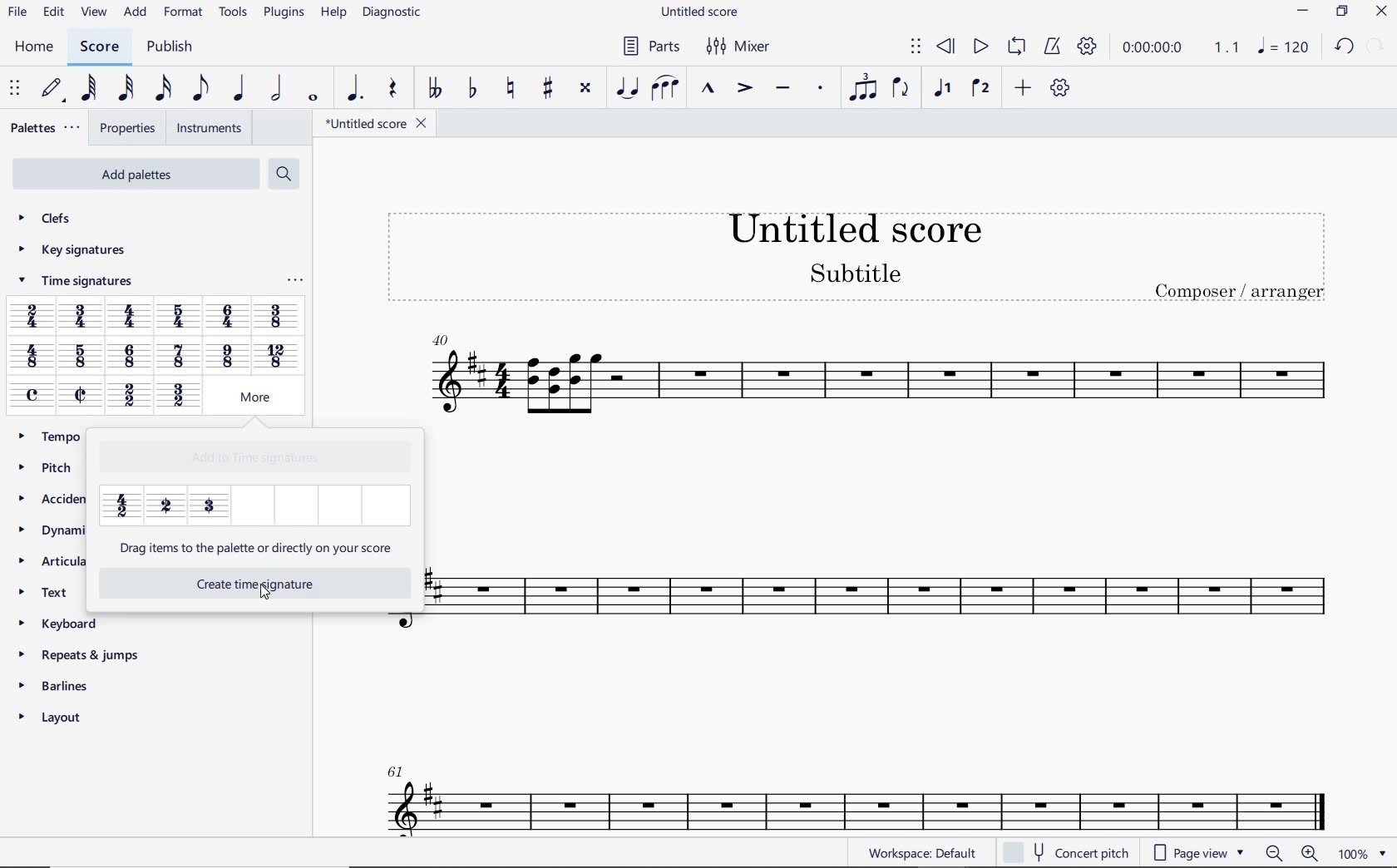  Describe the element at coordinates (230, 12) in the screenshot. I see `TOOLS` at that location.